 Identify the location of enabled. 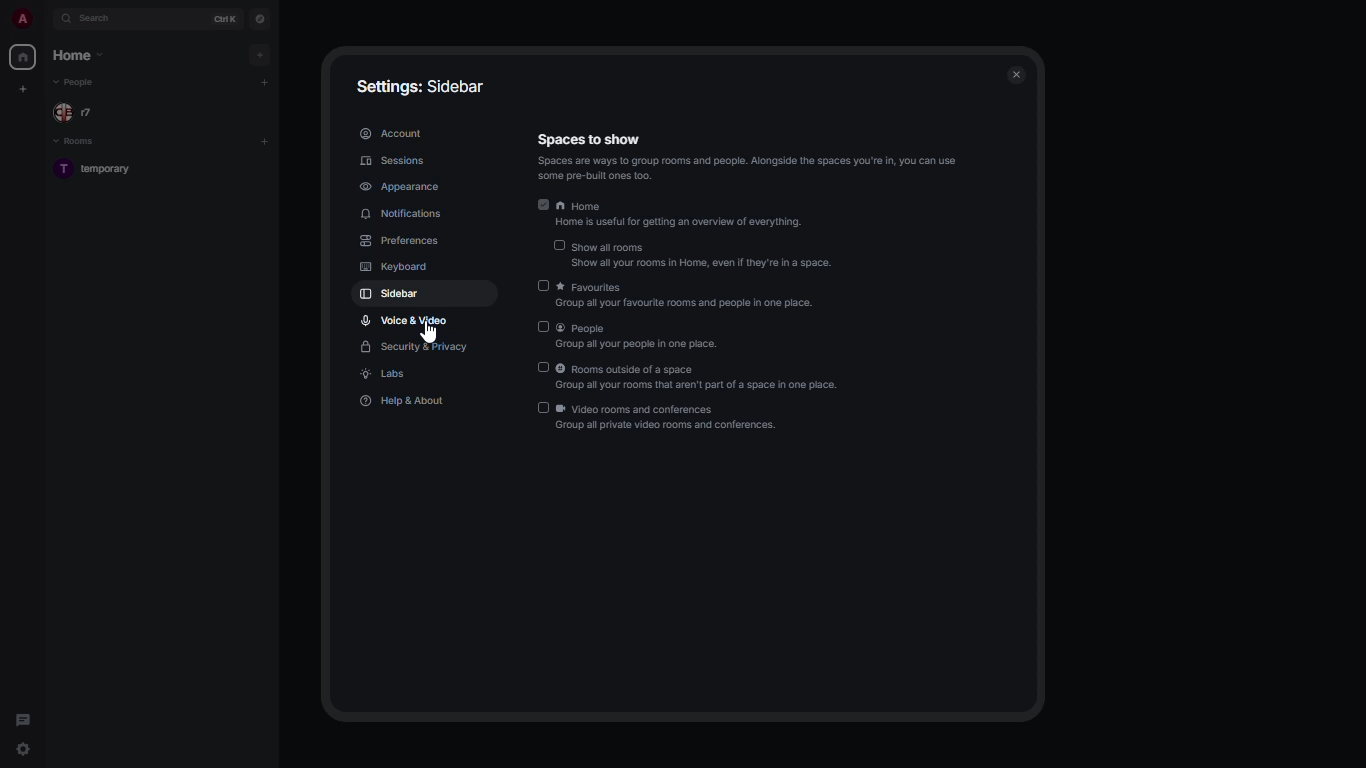
(543, 205).